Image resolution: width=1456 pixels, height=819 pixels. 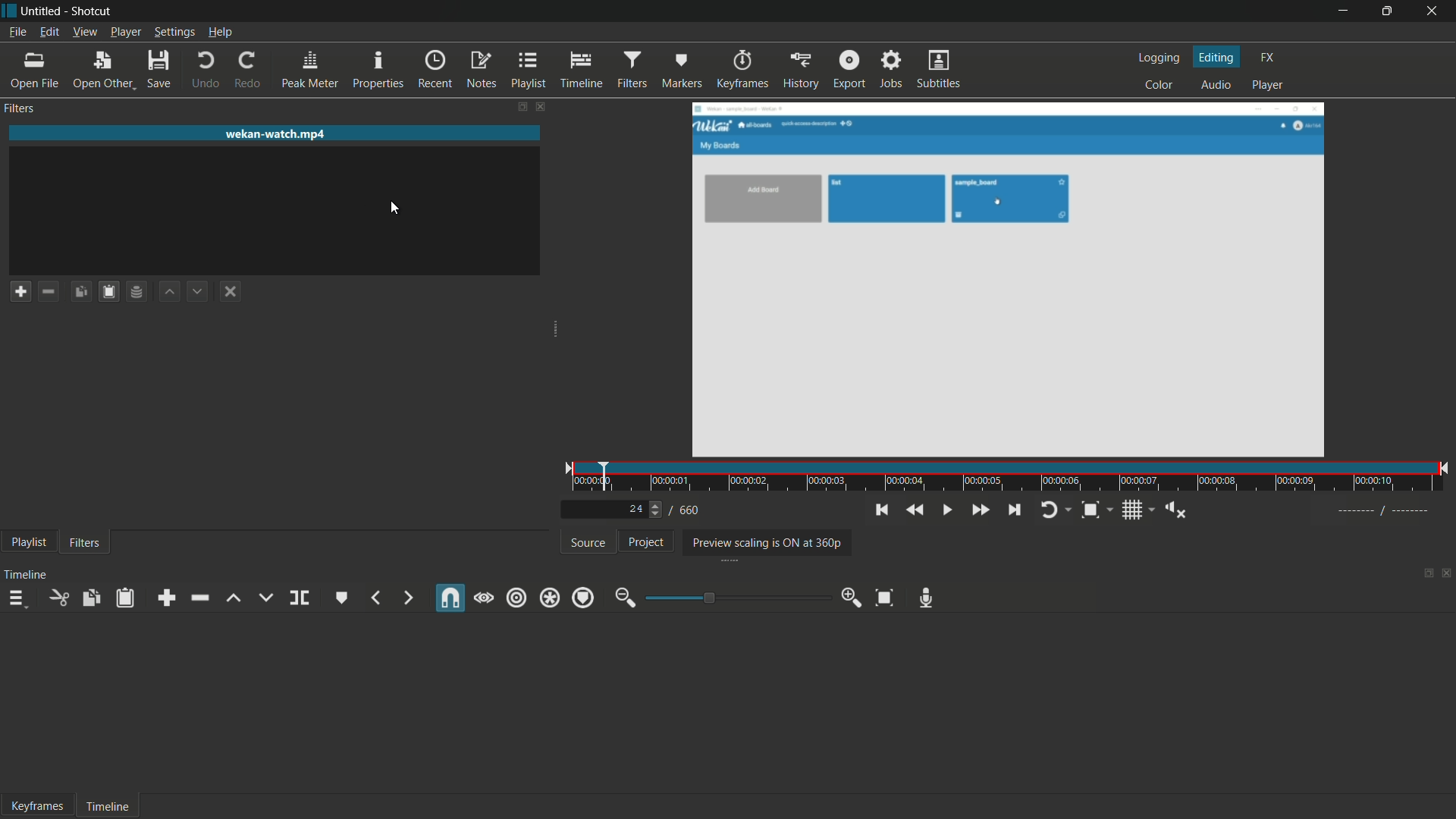 What do you see at coordinates (85, 544) in the screenshot?
I see `filters` at bounding box center [85, 544].